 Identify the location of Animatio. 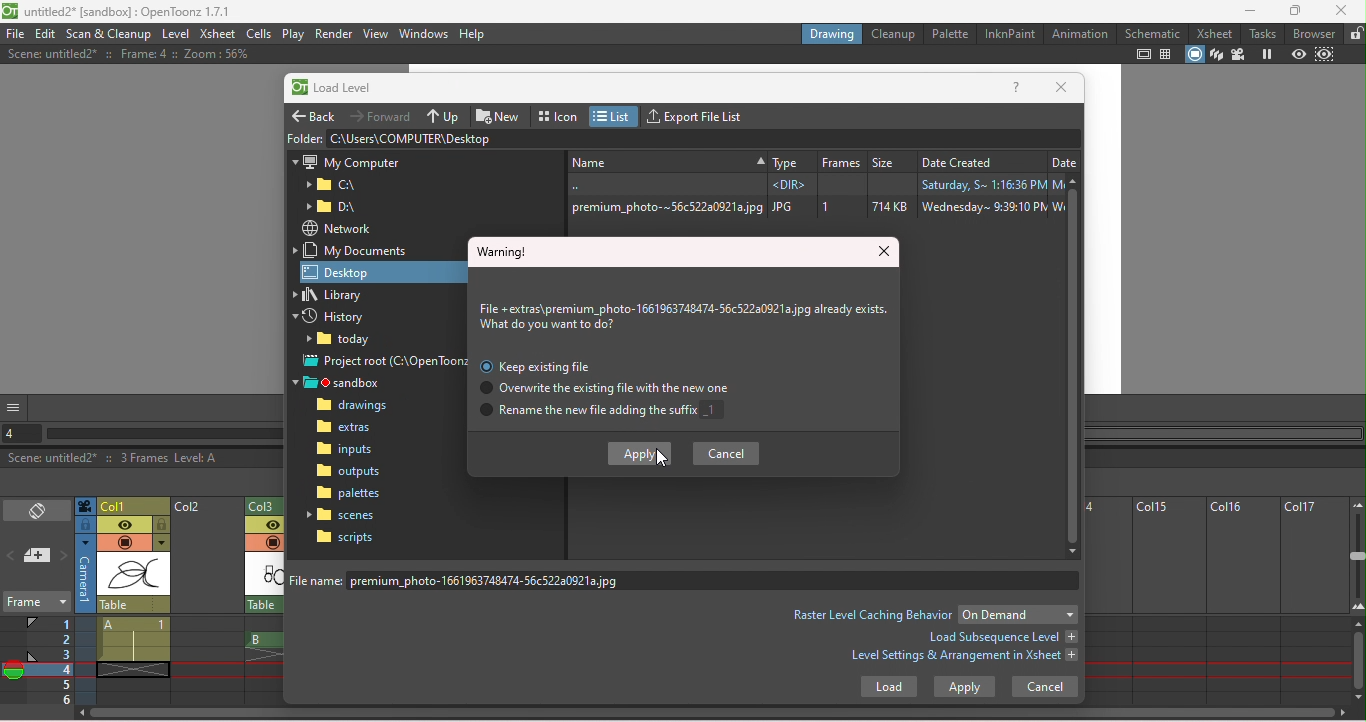
(1079, 33).